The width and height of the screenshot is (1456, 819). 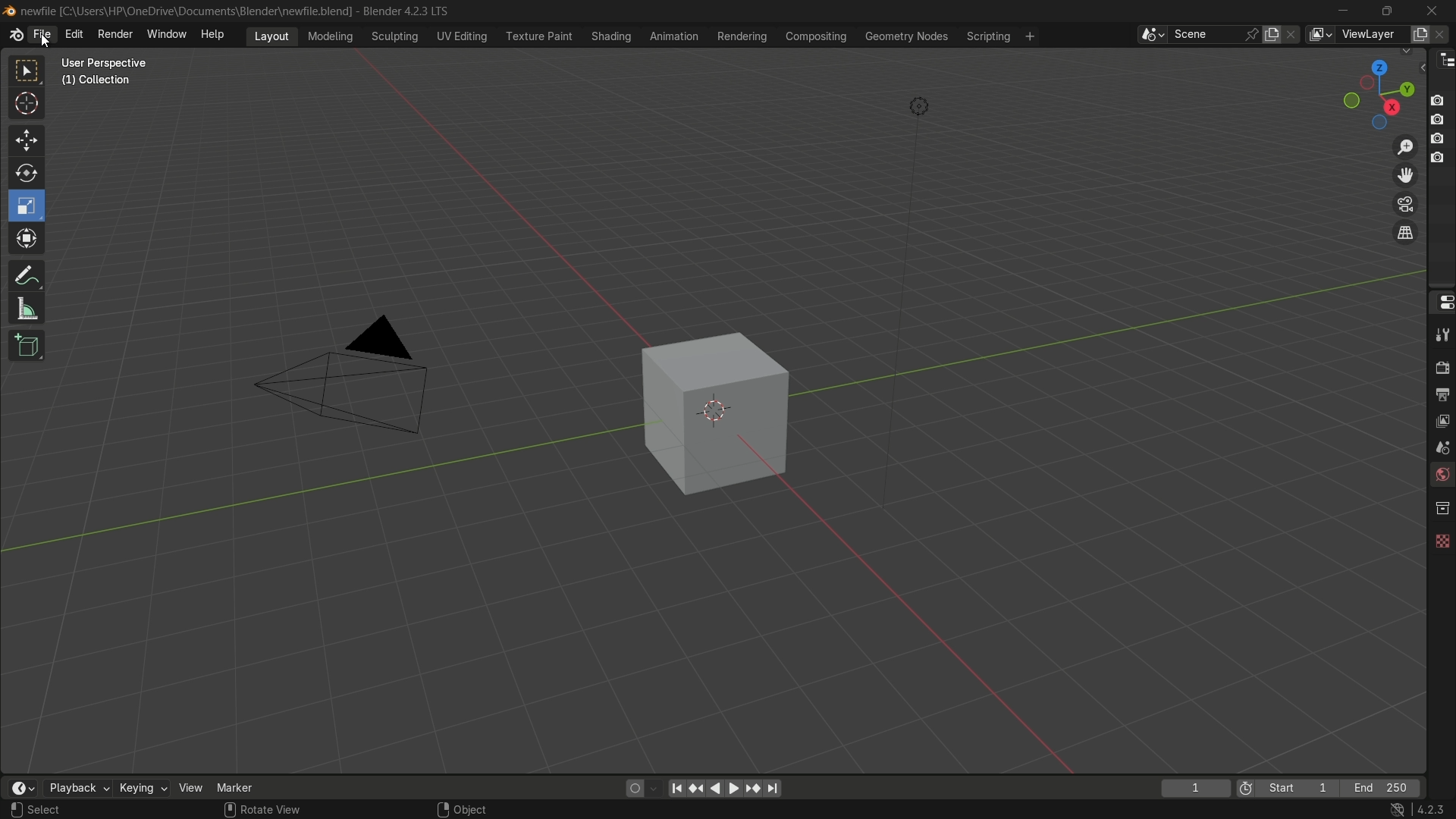 What do you see at coordinates (1442, 394) in the screenshot?
I see `output` at bounding box center [1442, 394].